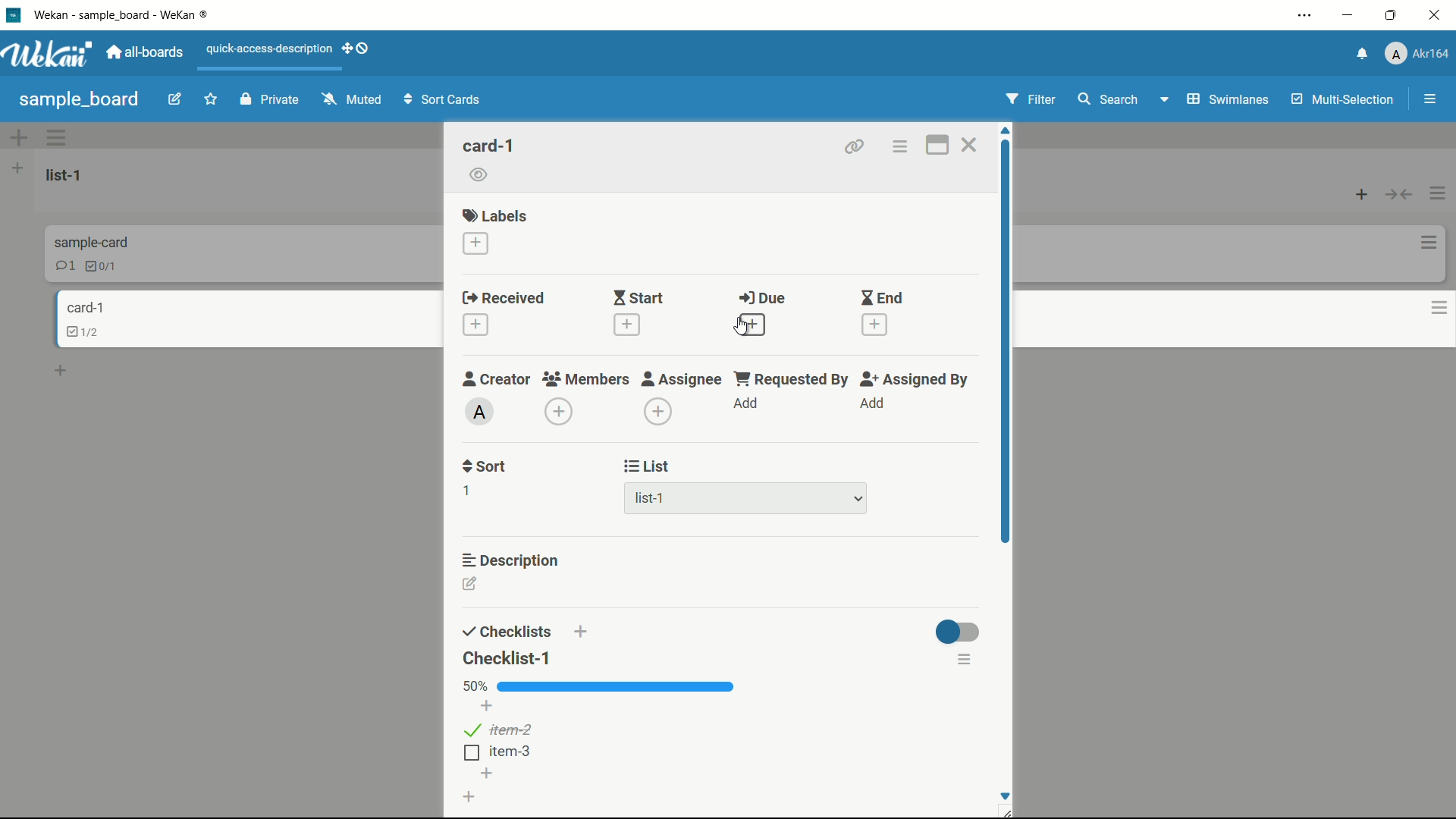 The height and width of the screenshot is (819, 1456). I want to click on copy card link to clipboard , so click(856, 146).